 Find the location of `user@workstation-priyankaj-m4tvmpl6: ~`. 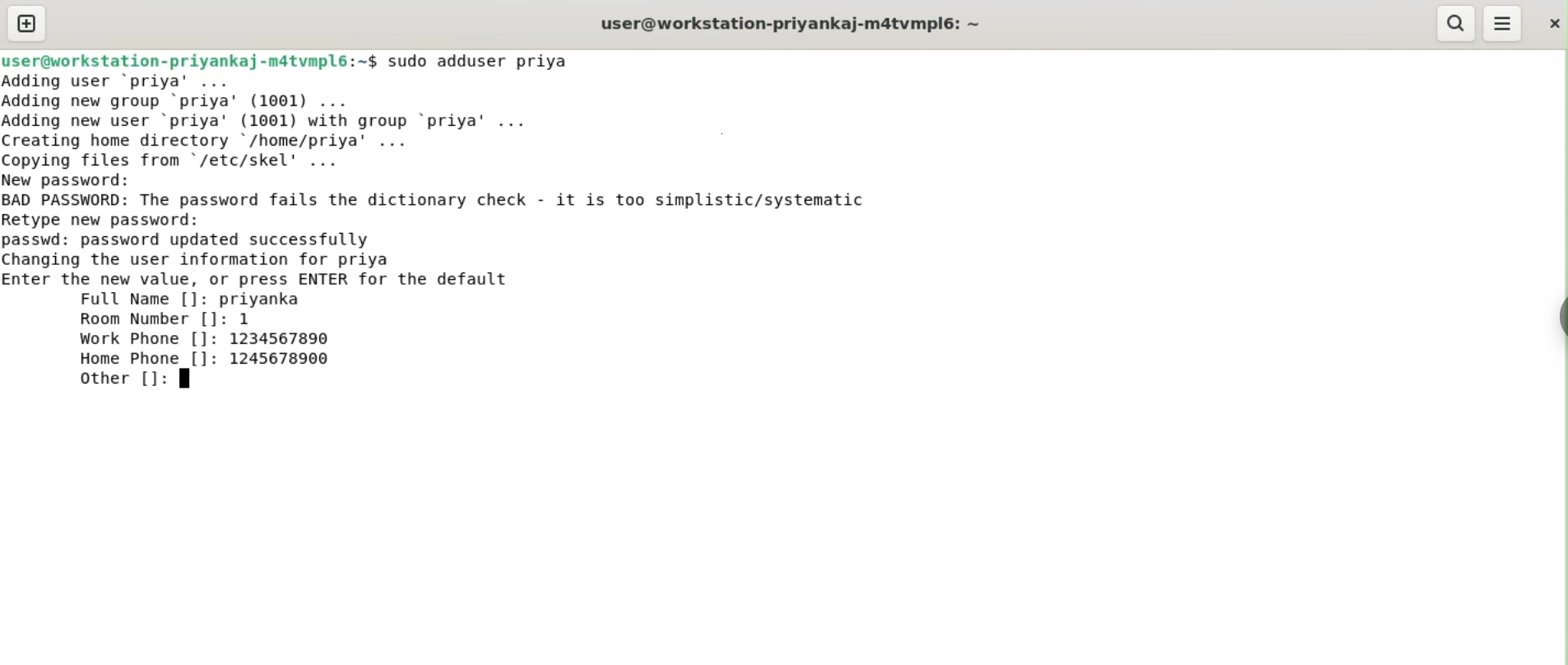

user@workstation-priyankaj-m4tvmpl6: ~ is located at coordinates (791, 26).